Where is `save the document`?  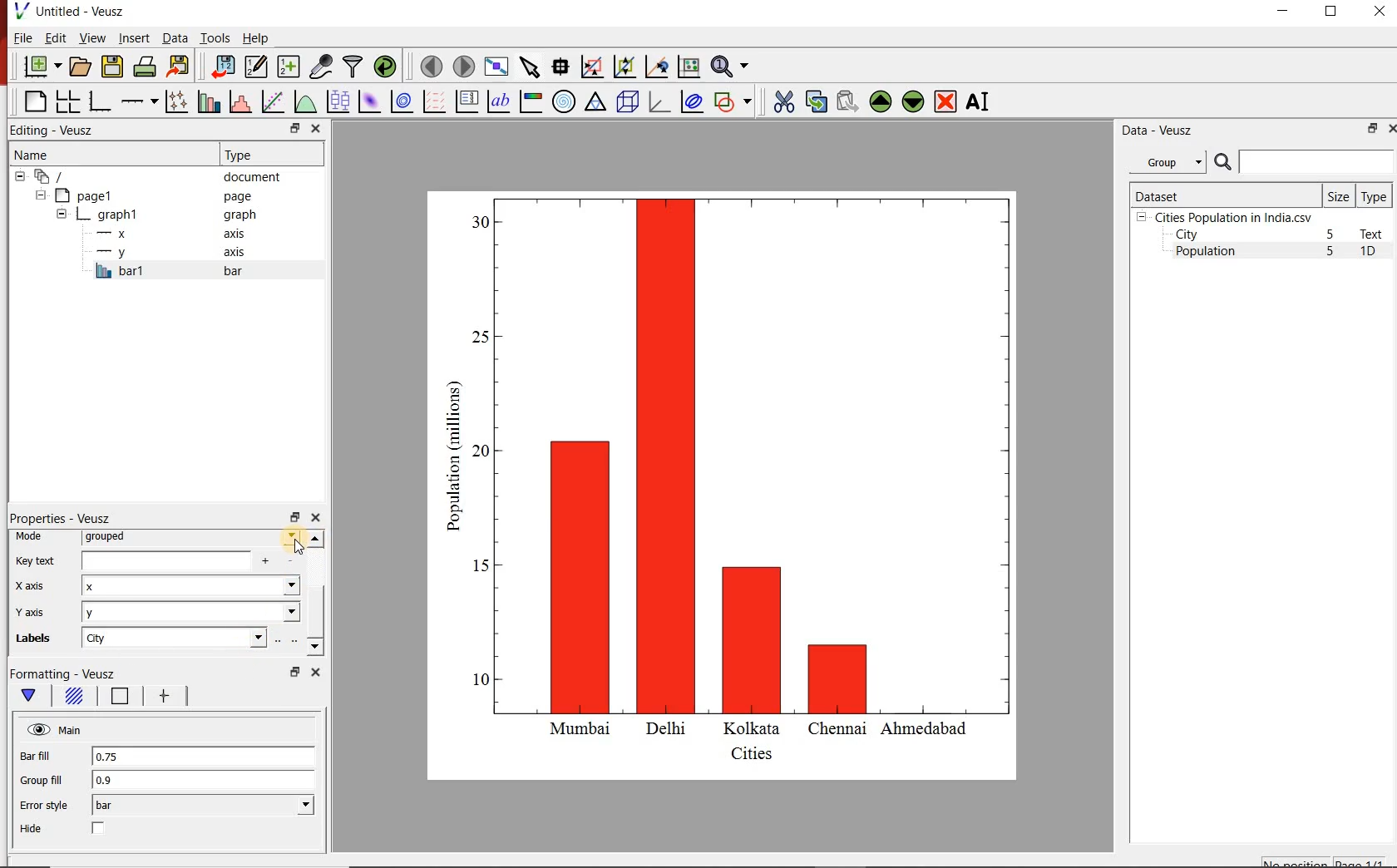 save the document is located at coordinates (112, 65).